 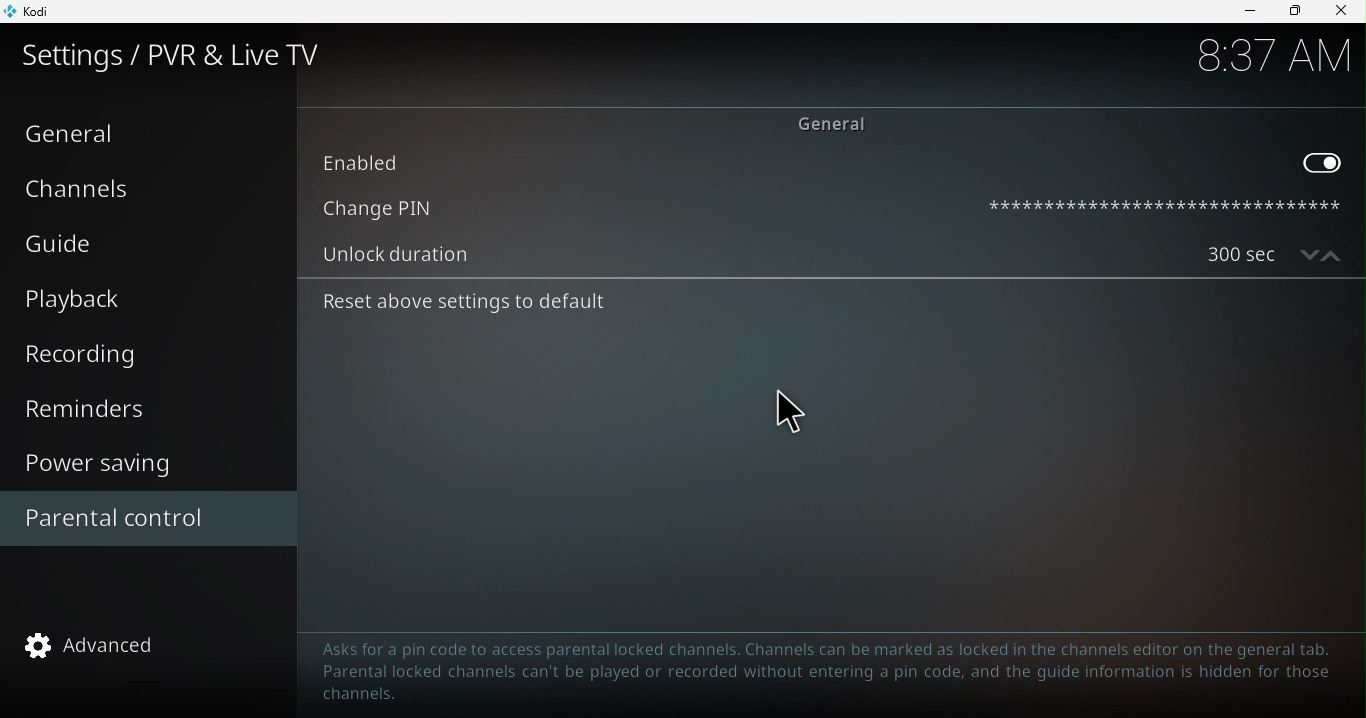 What do you see at coordinates (1344, 13) in the screenshot?
I see `close` at bounding box center [1344, 13].